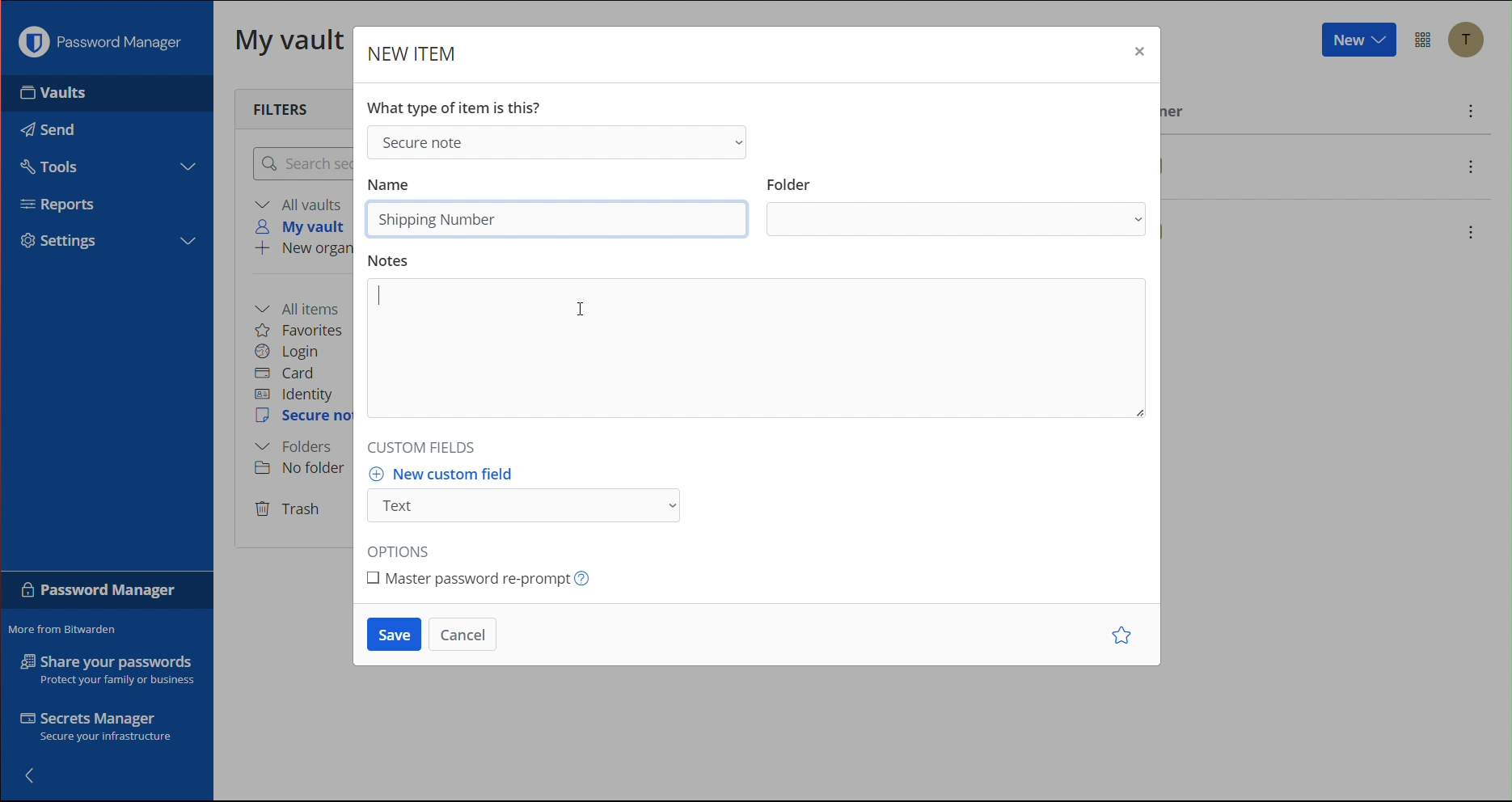 The width and height of the screenshot is (1512, 802). I want to click on Identity, so click(298, 396).